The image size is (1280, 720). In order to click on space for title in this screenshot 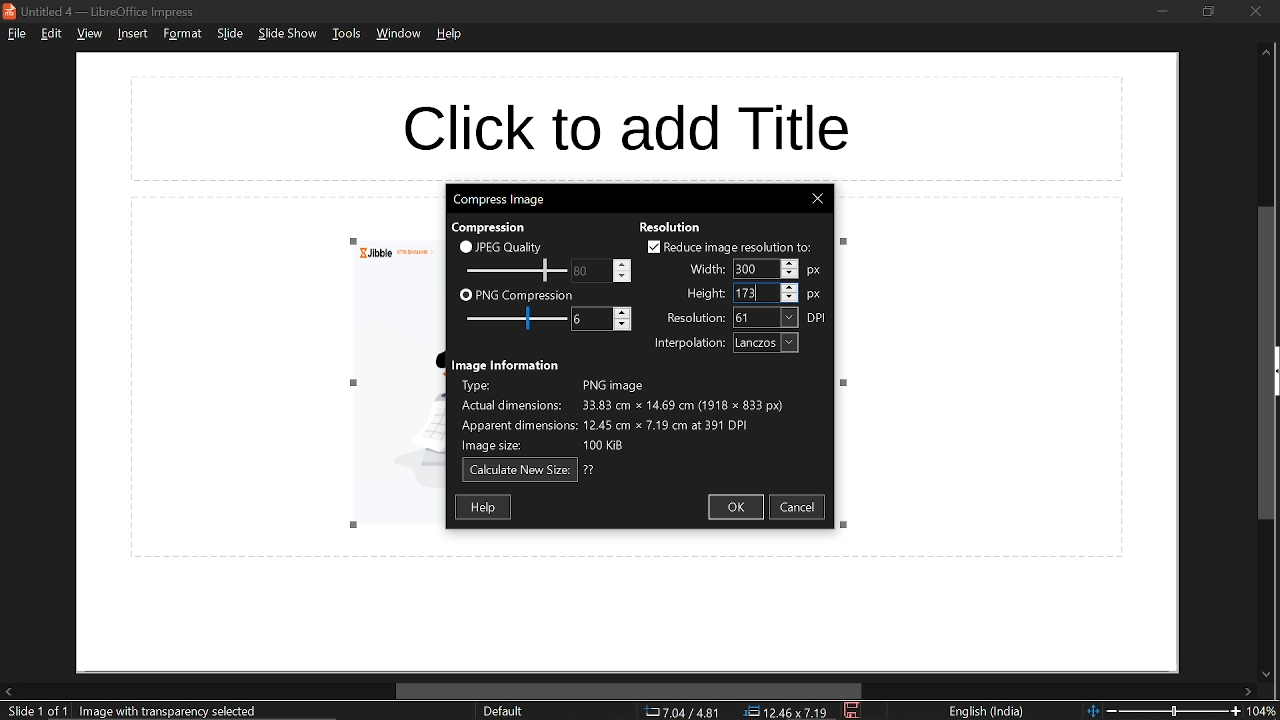, I will do `click(646, 122)`.